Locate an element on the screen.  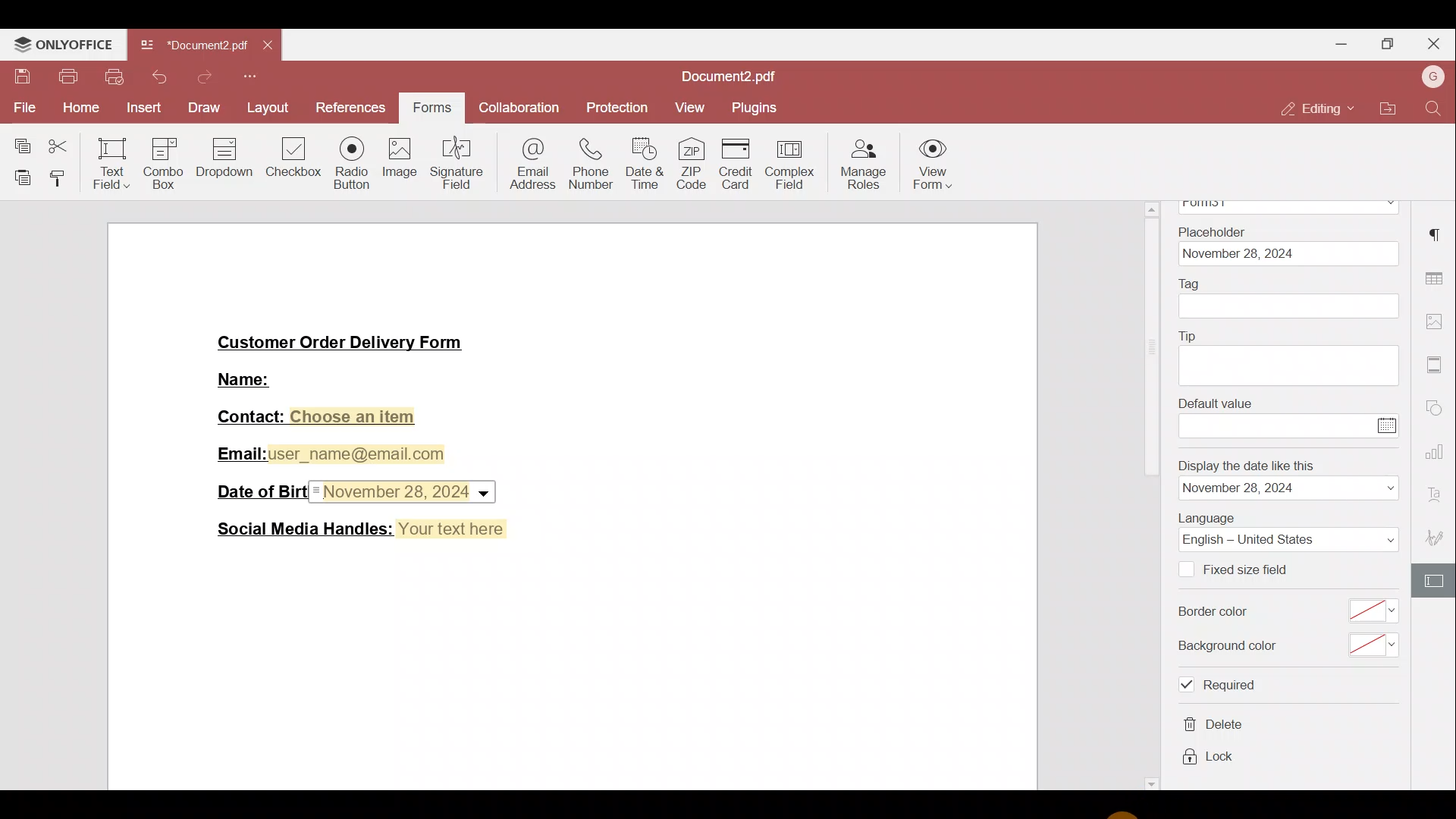
ZIP code is located at coordinates (695, 165).